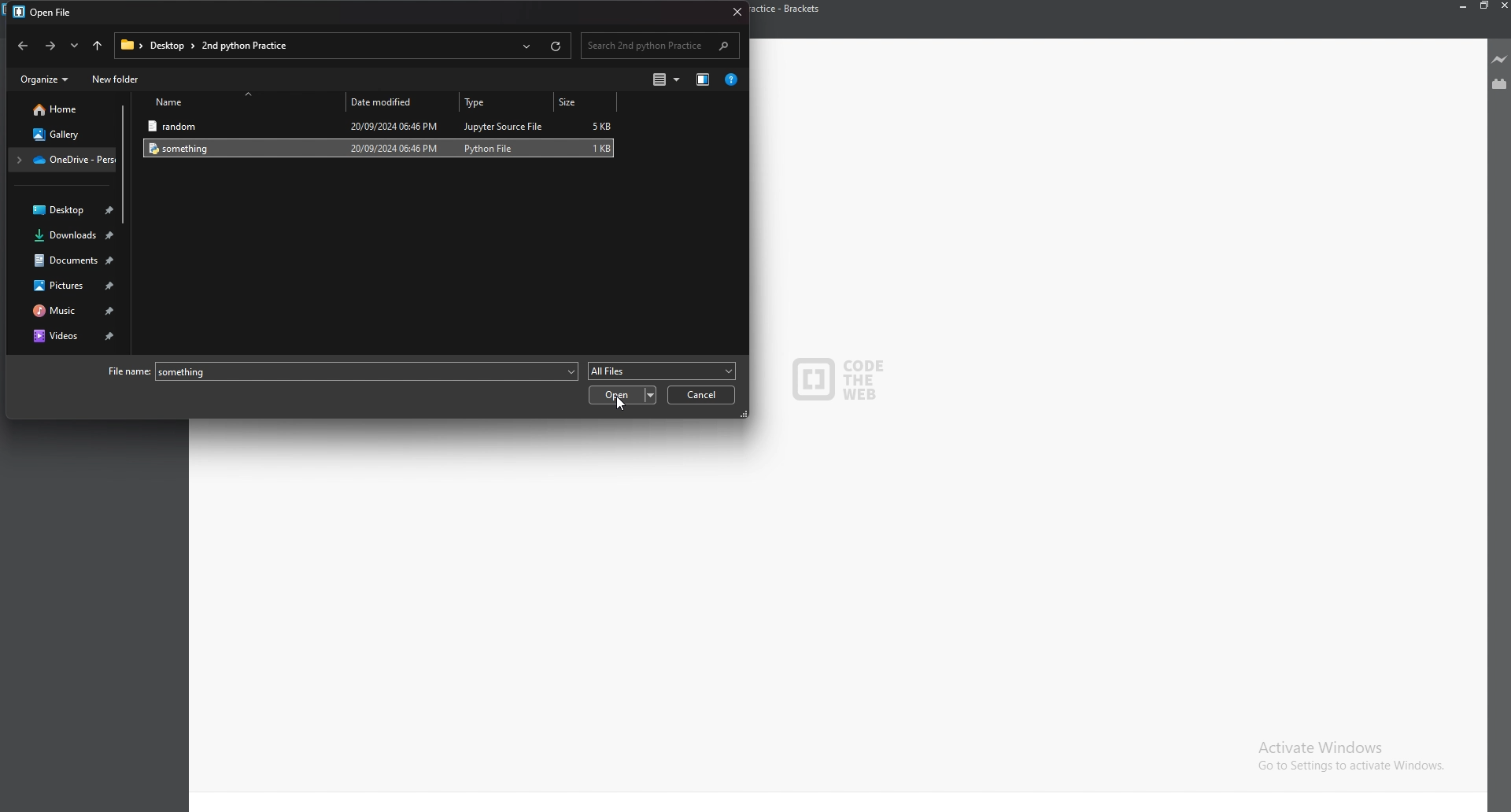 The width and height of the screenshot is (1511, 812). What do you see at coordinates (667, 79) in the screenshot?
I see `change view` at bounding box center [667, 79].